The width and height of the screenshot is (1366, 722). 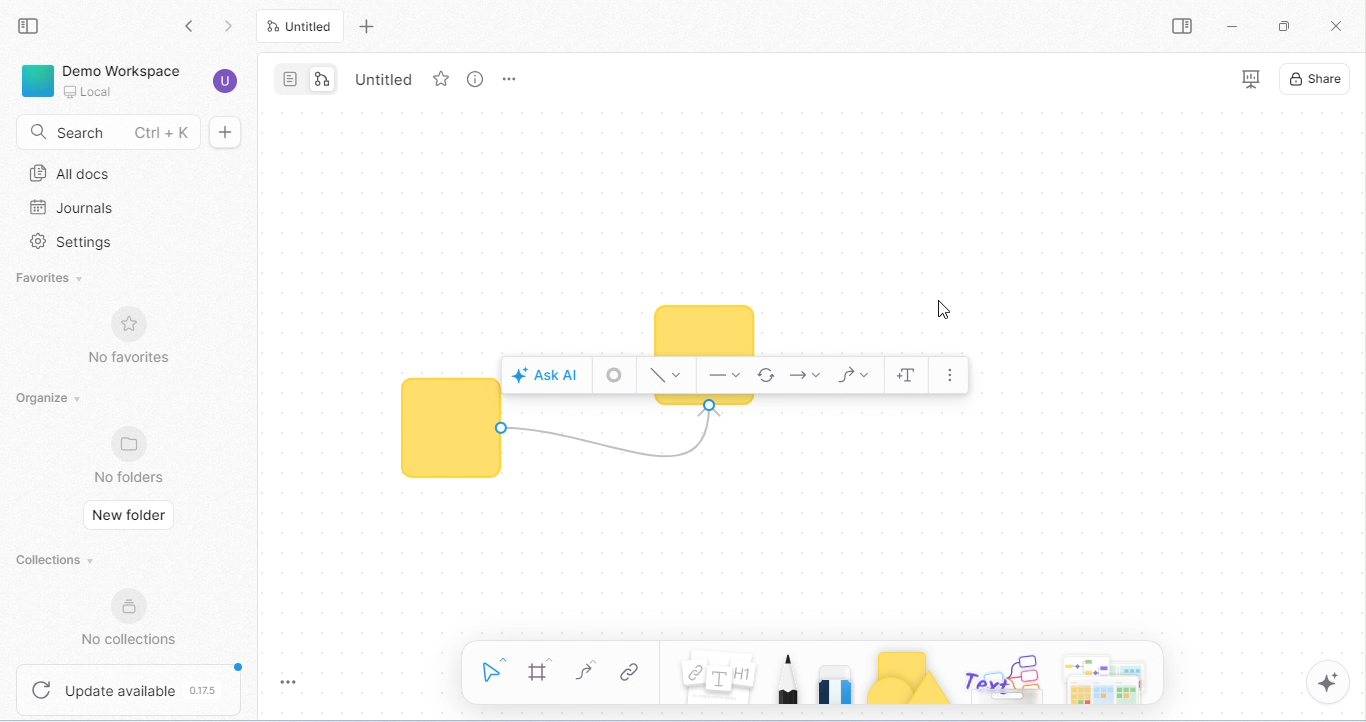 I want to click on connector shape, so click(x=856, y=375).